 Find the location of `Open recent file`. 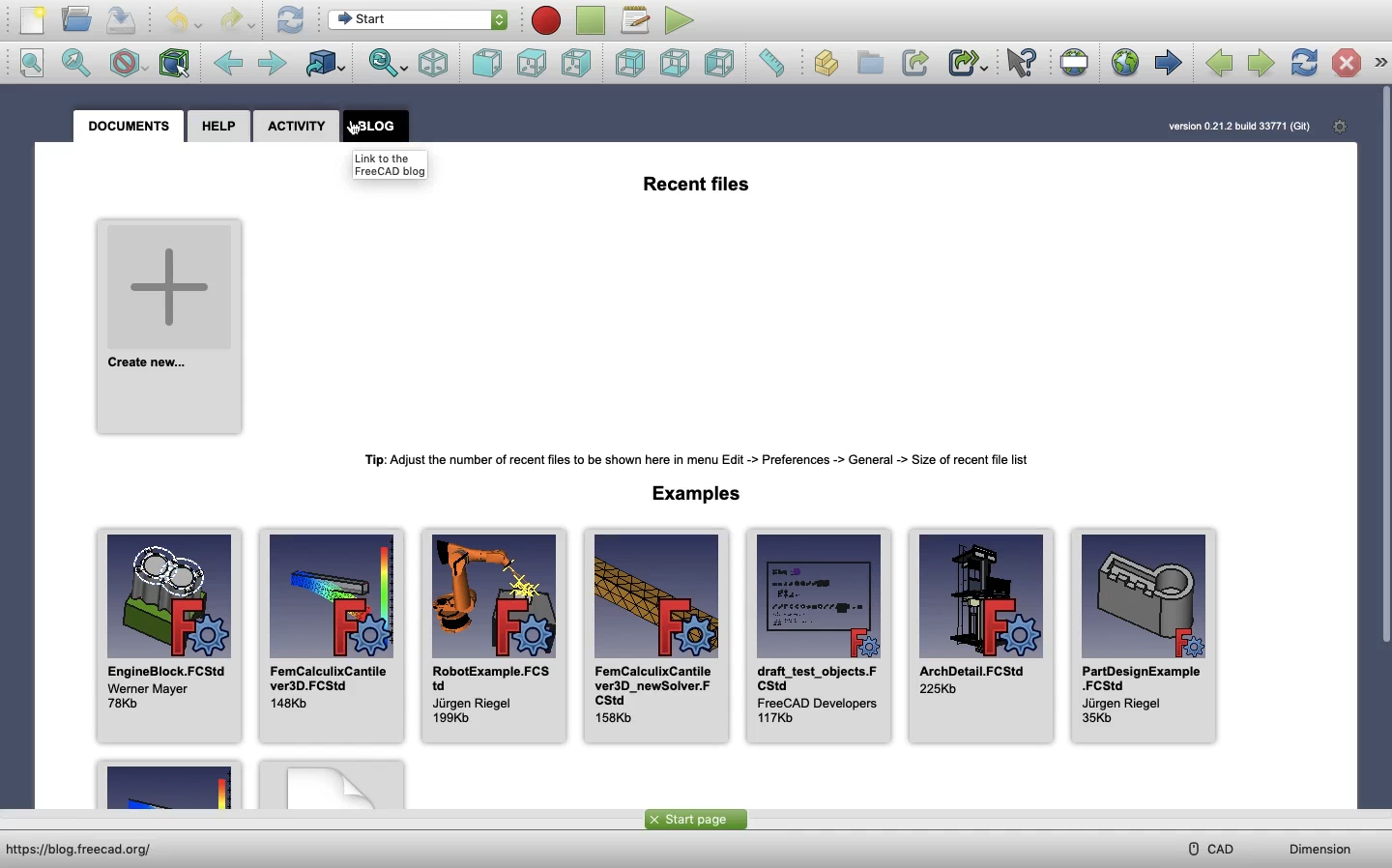

Open recent file is located at coordinates (333, 782).